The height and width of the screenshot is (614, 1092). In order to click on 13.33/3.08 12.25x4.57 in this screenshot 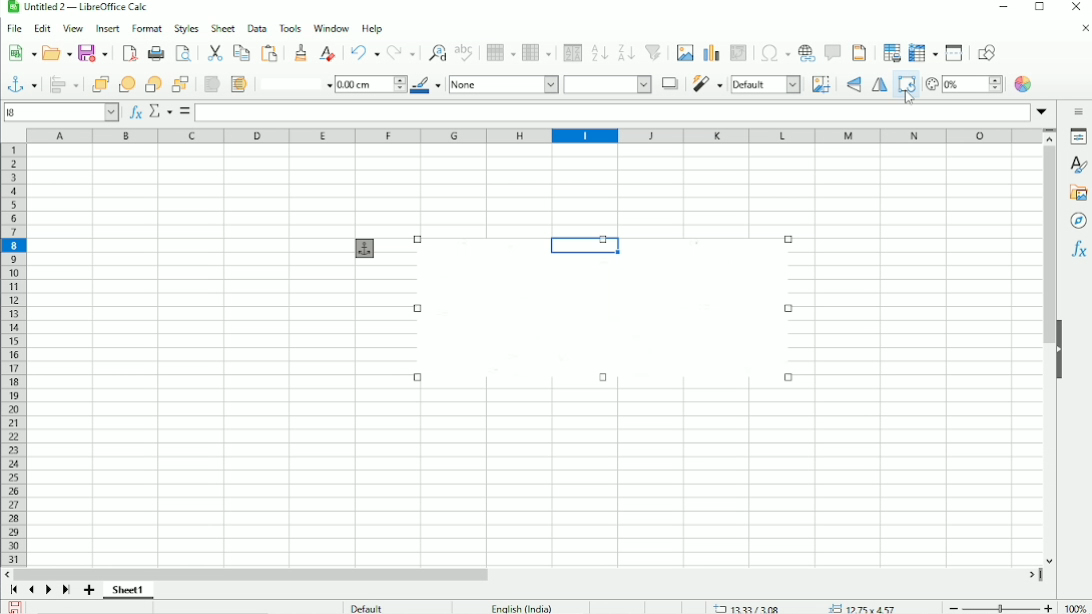, I will do `click(809, 607)`.